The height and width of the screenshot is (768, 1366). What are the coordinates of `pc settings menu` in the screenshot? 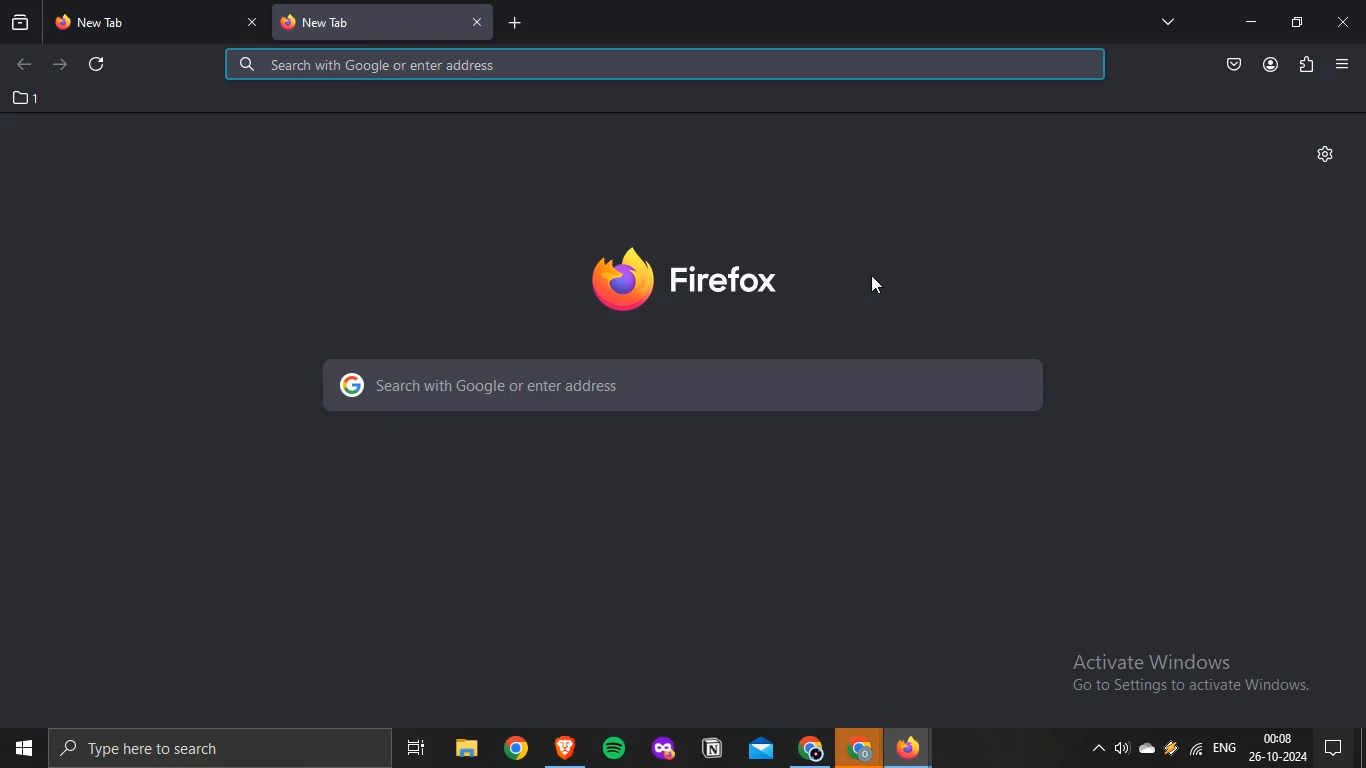 It's located at (1342, 747).